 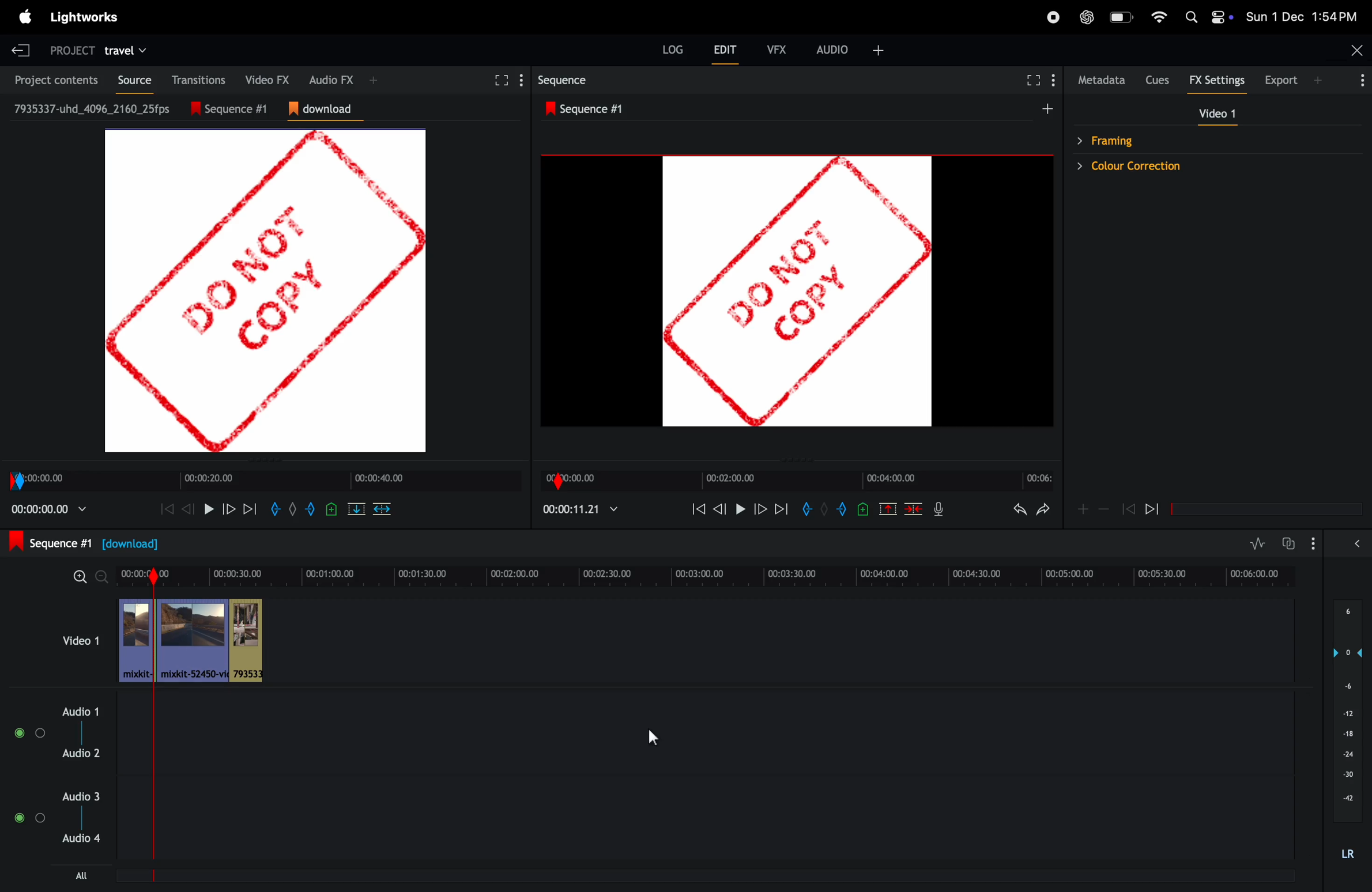 What do you see at coordinates (82, 875) in the screenshot?
I see `all` at bounding box center [82, 875].